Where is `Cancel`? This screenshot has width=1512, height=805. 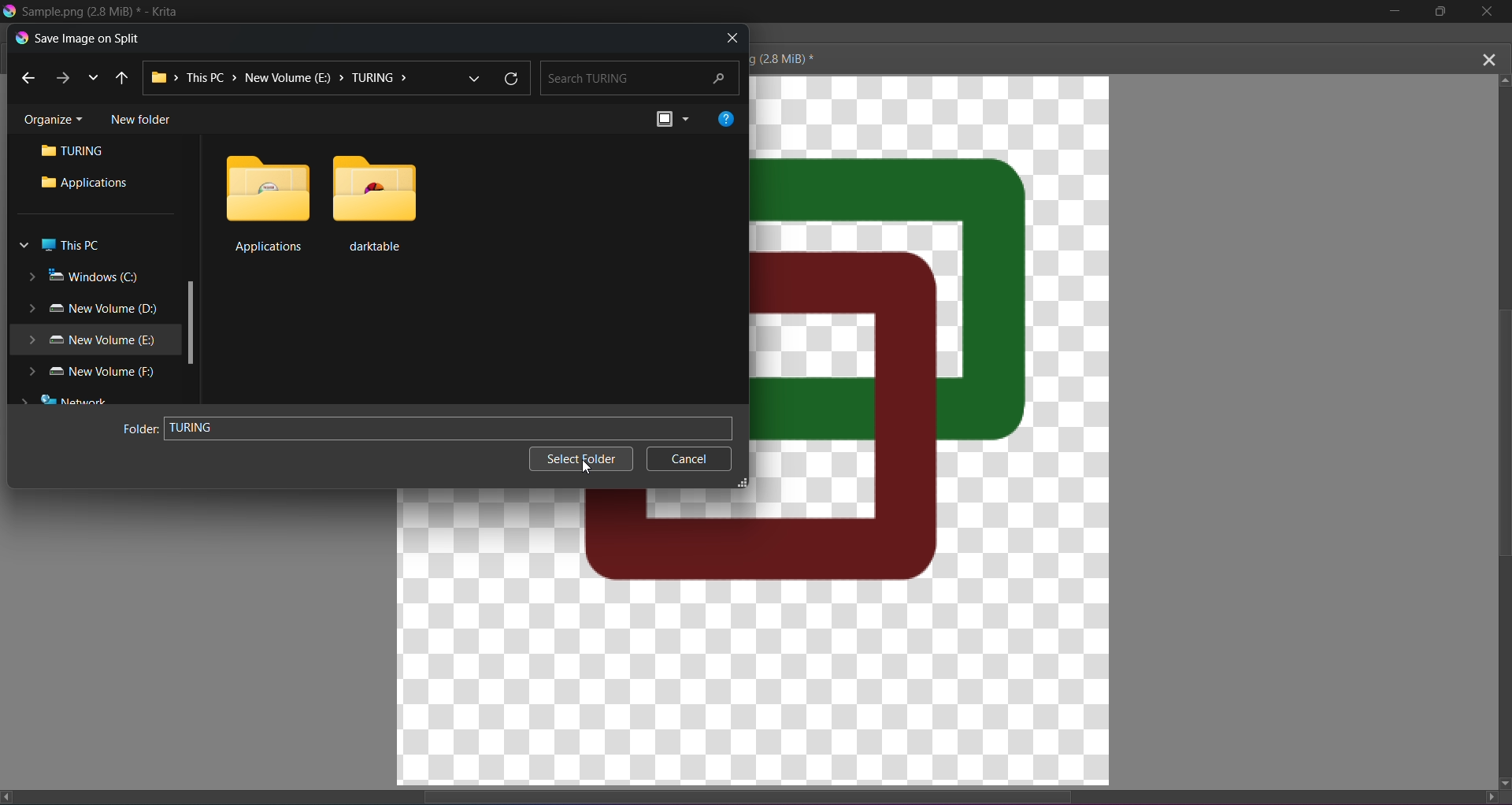 Cancel is located at coordinates (690, 461).